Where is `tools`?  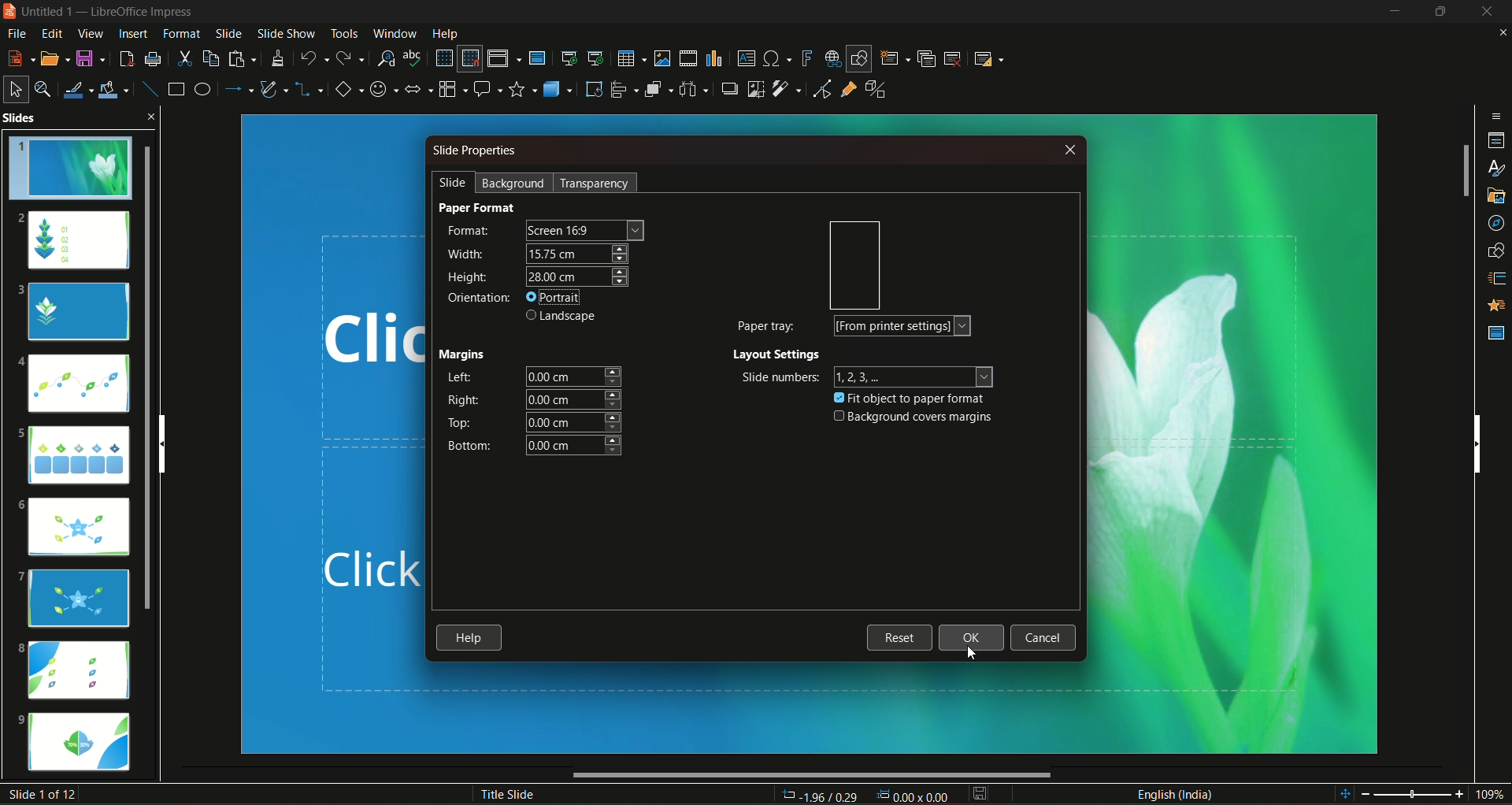 tools is located at coordinates (342, 32).